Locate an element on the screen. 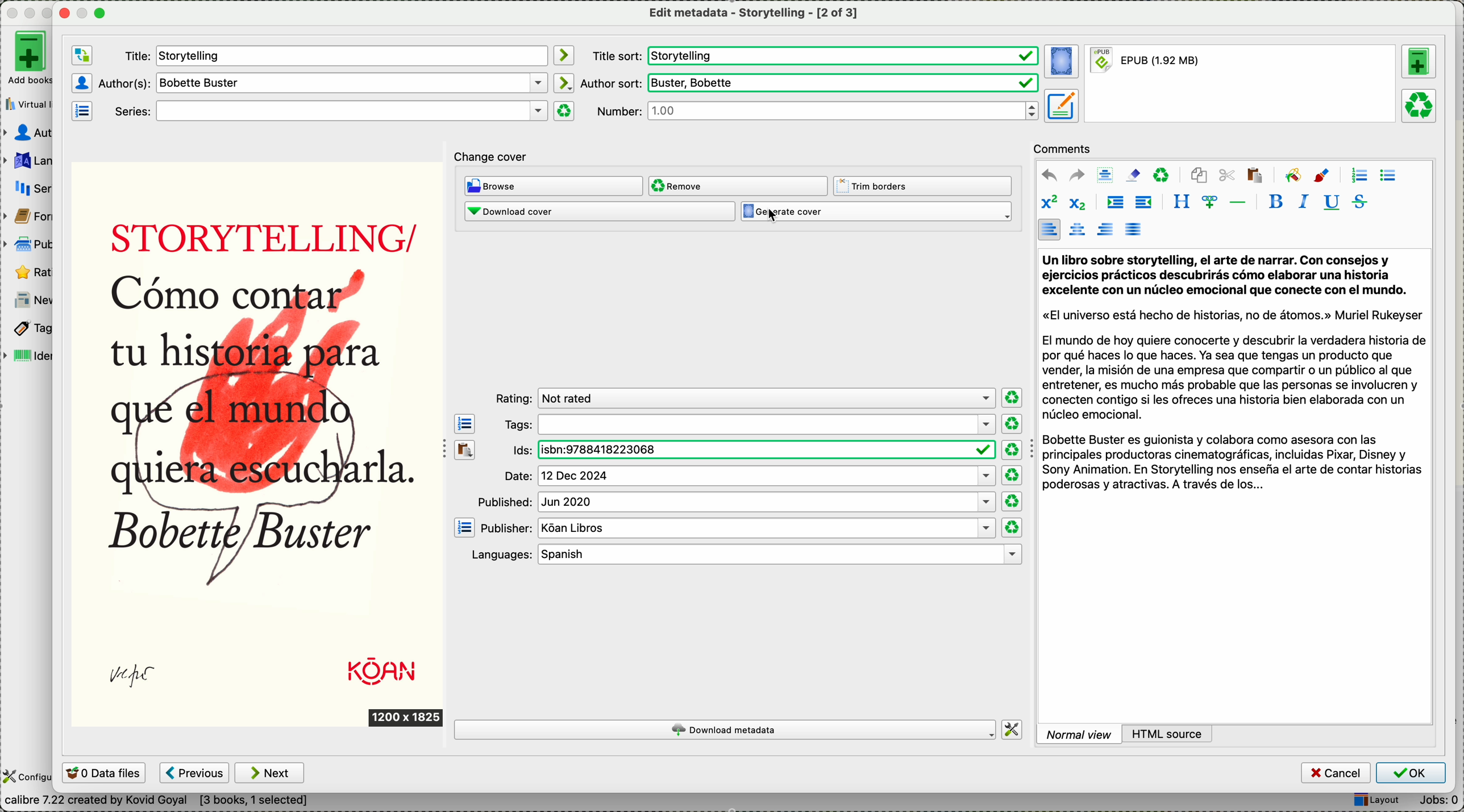 The height and width of the screenshot is (812, 1464). remove formatting is located at coordinates (1133, 175).